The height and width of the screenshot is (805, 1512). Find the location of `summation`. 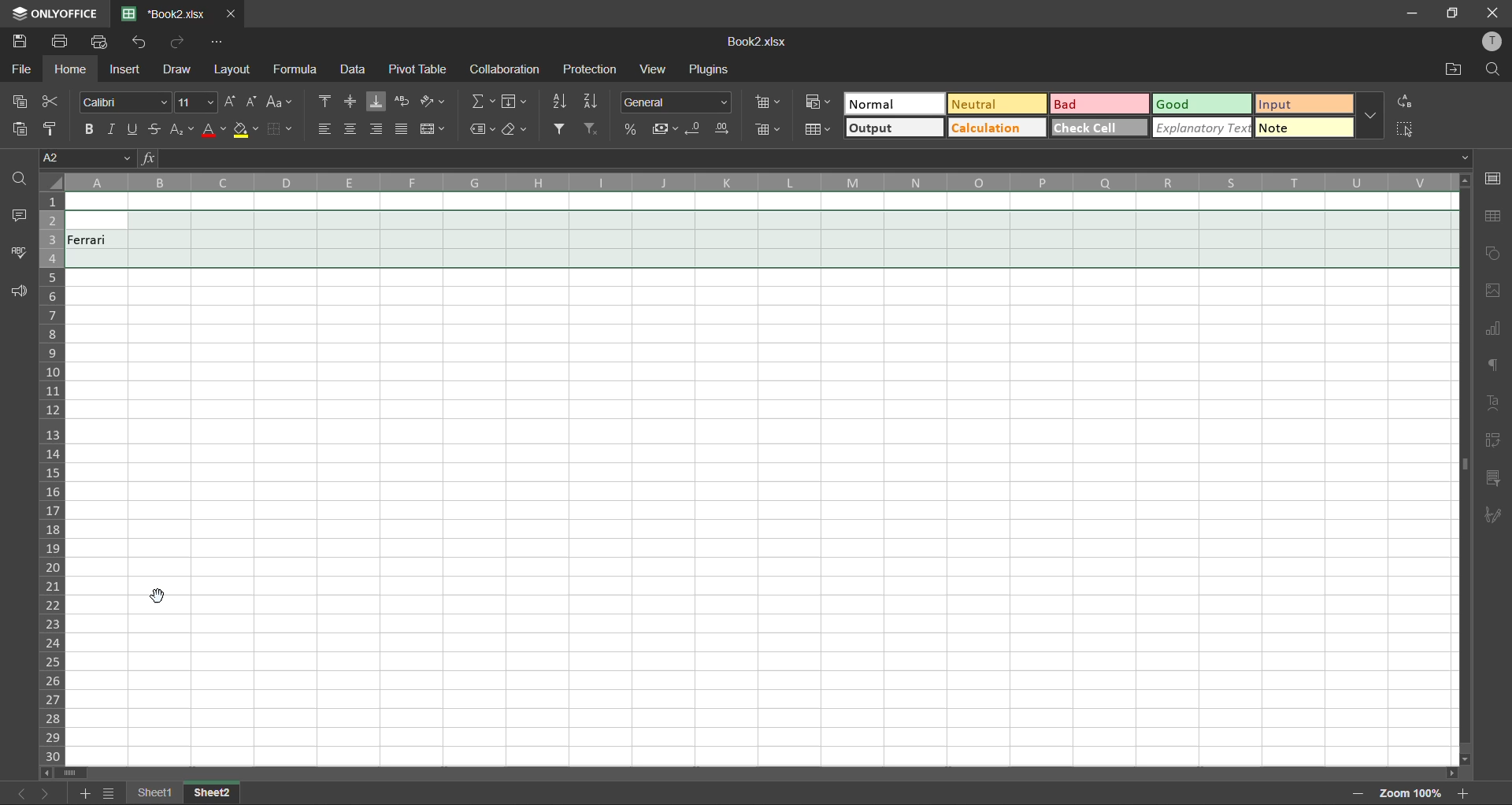

summation is located at coordinates (480, 102).